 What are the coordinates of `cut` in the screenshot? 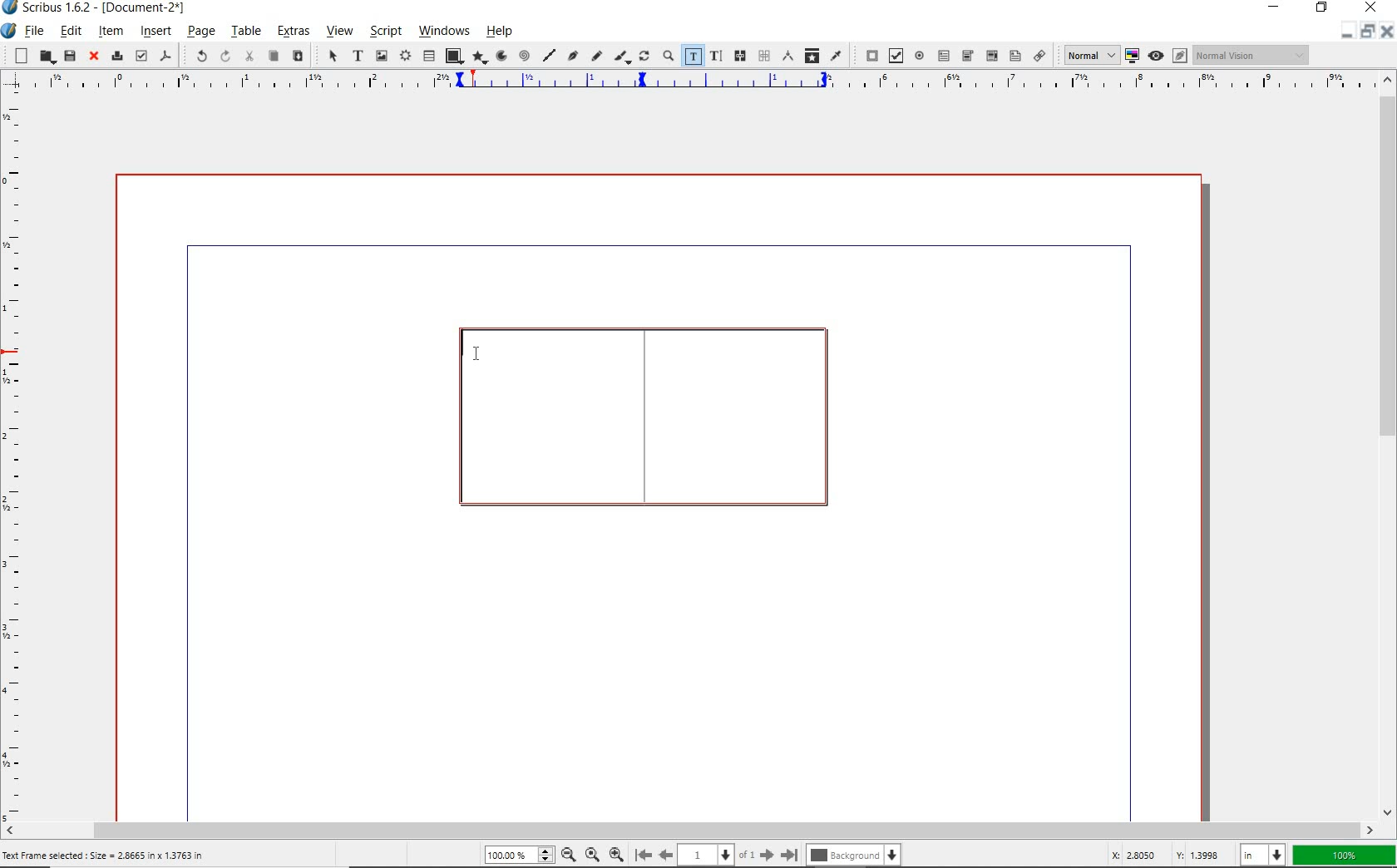 It's located at (247, 57).